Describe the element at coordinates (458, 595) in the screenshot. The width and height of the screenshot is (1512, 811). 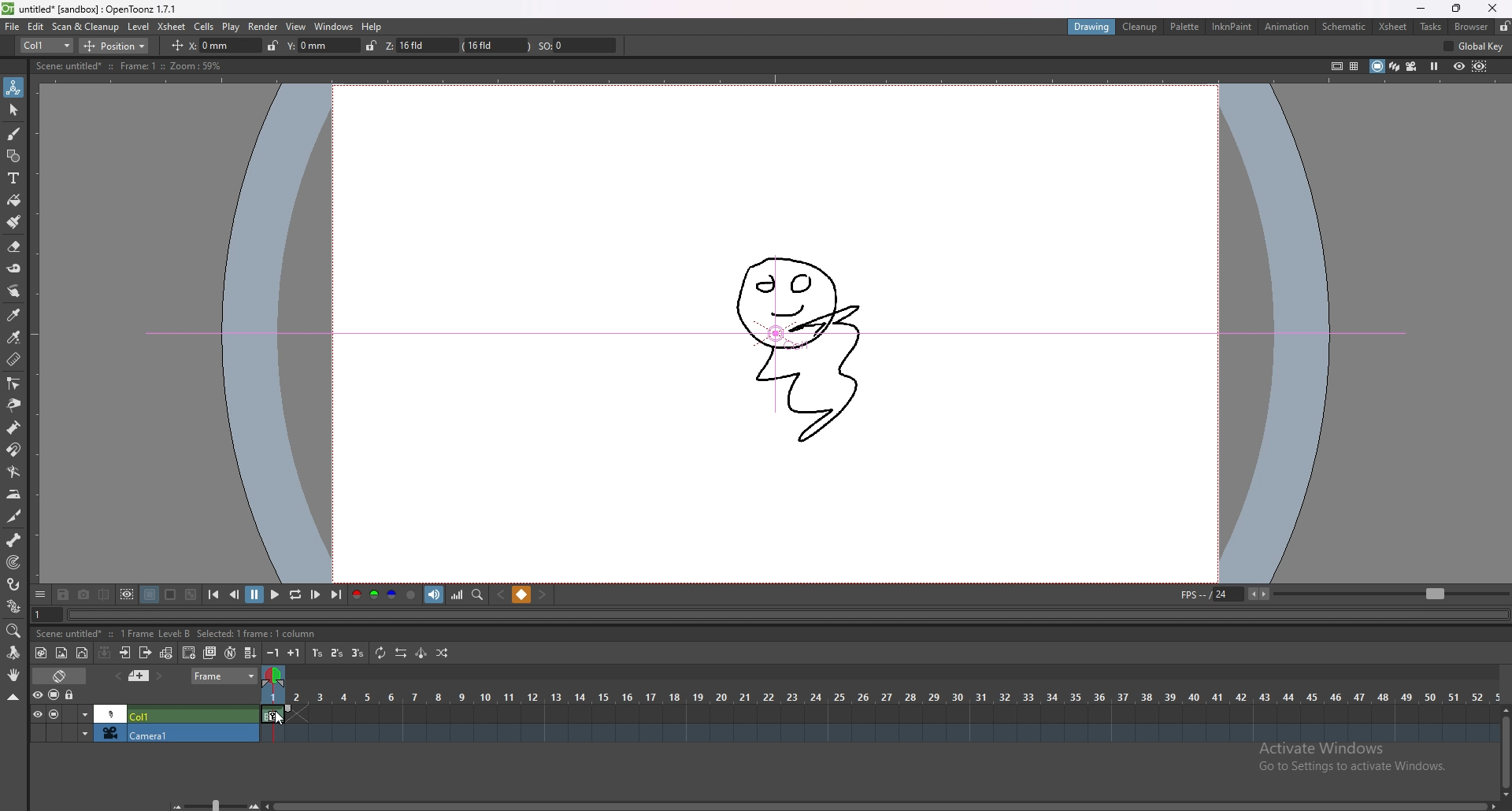
I see `histogram` at that location.